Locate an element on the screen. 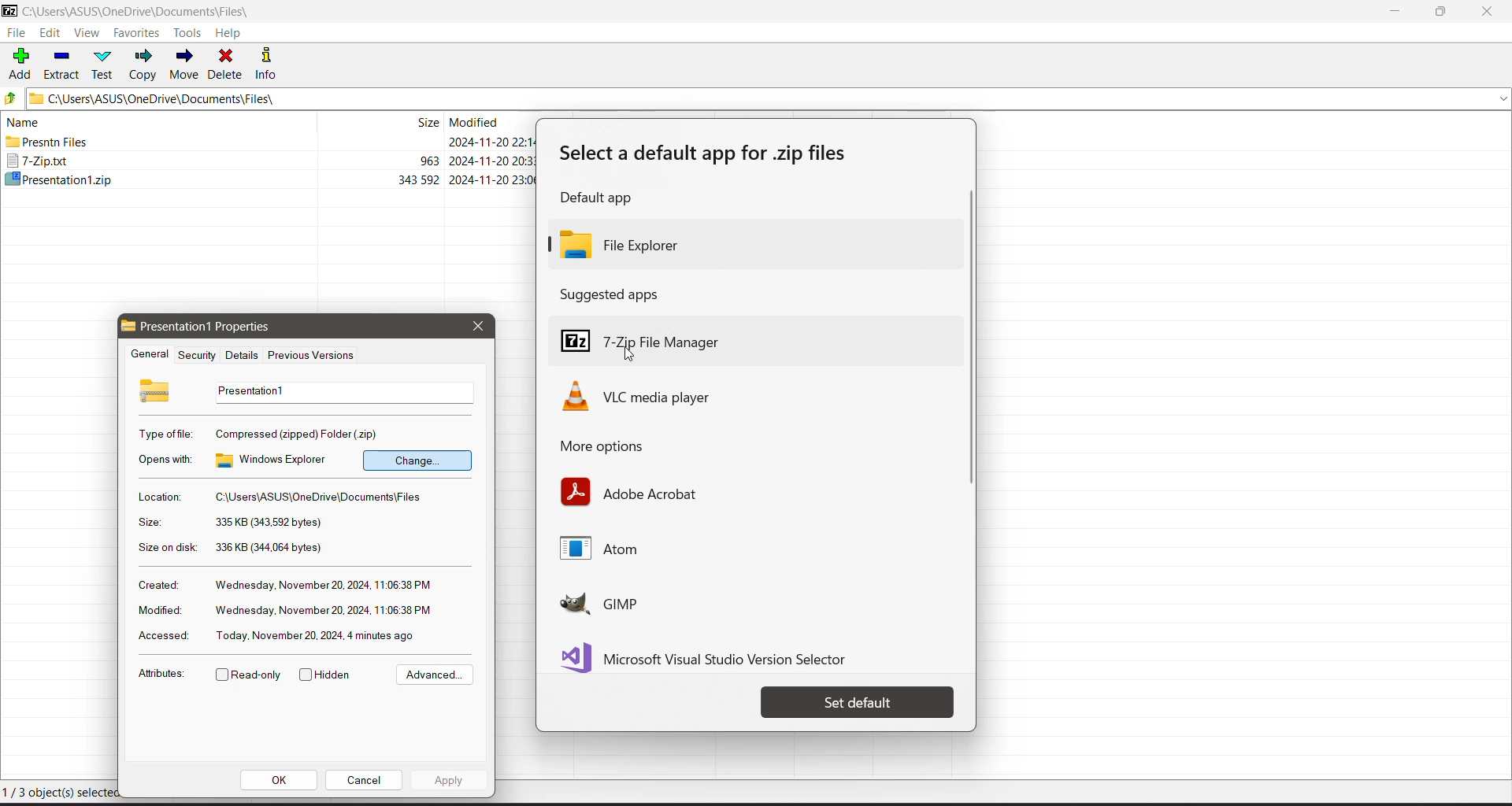 The width and height of the screenshot is (1512, 806). More Options is located at coordinates (621, 447).